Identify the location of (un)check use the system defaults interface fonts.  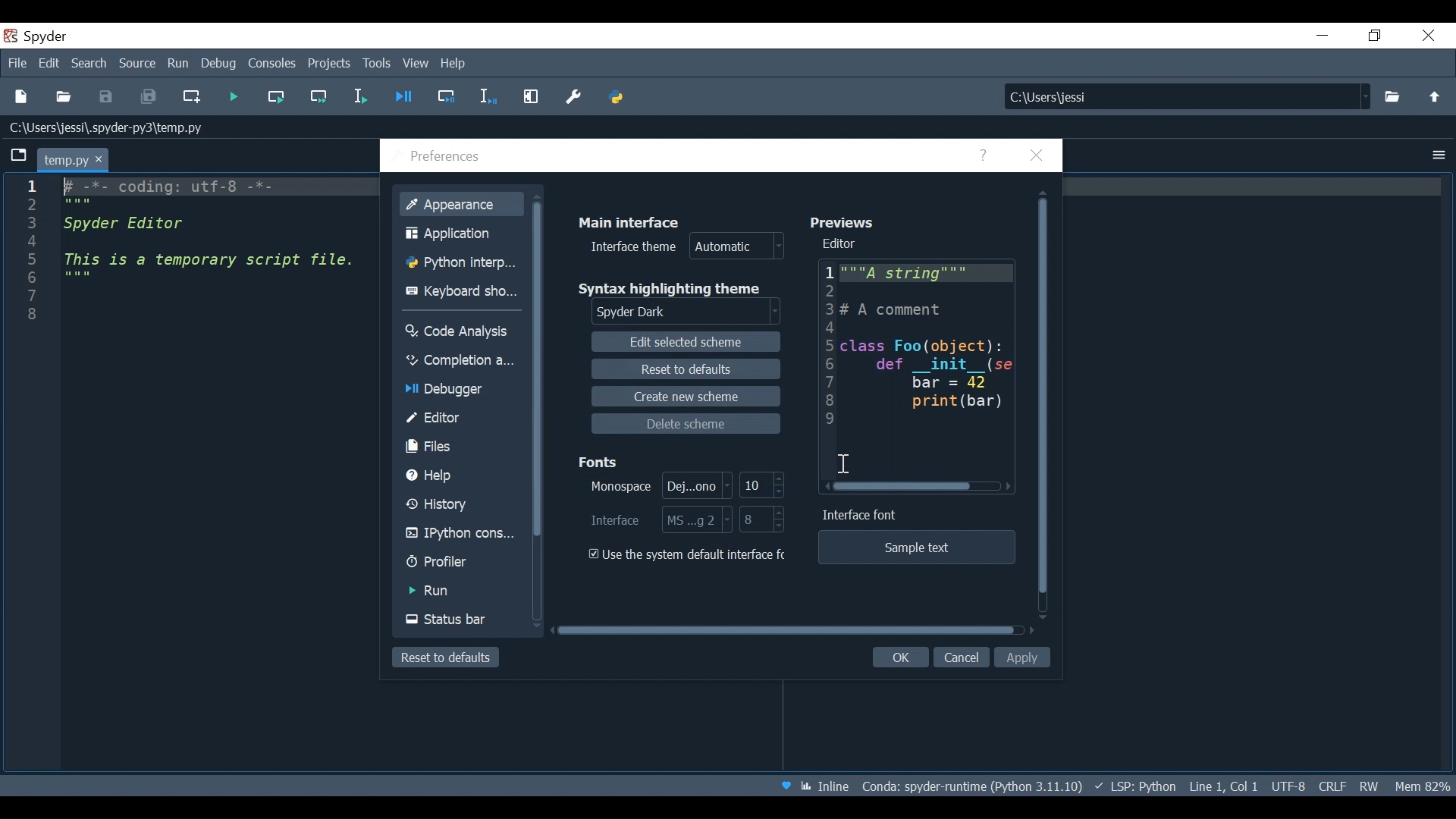
(689, 555).